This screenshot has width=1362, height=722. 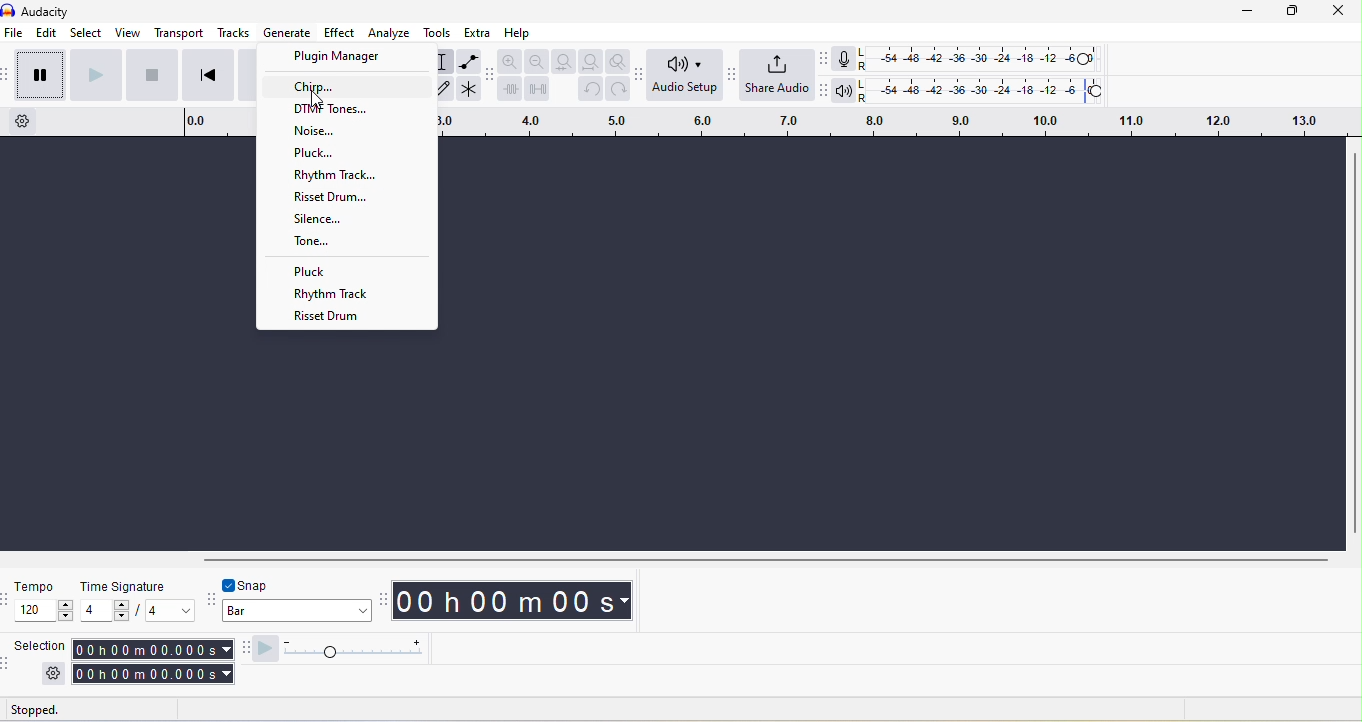 I want to click on audacity transport toolbar, so click(x=9, y=77).